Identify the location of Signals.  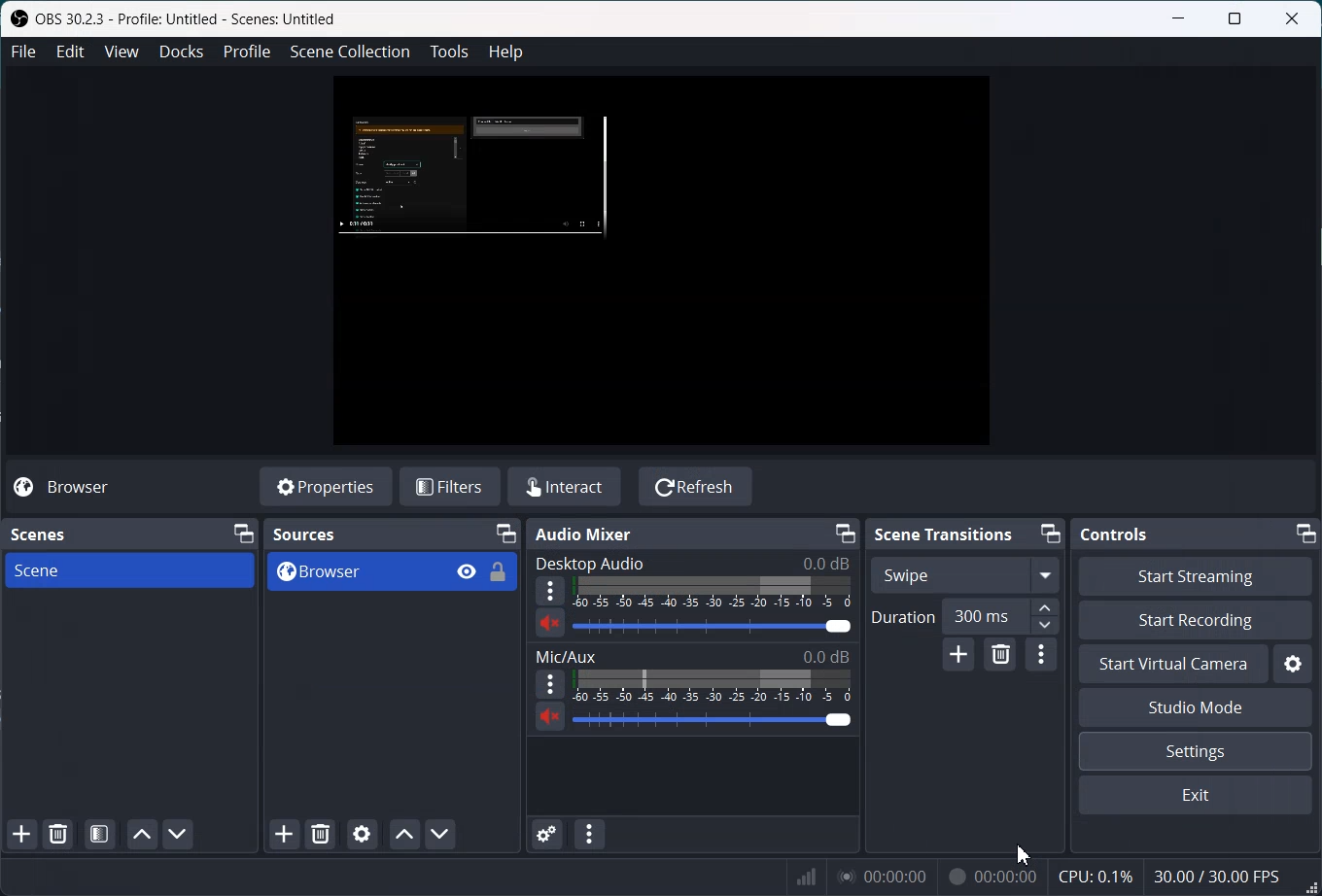
(802, 875).